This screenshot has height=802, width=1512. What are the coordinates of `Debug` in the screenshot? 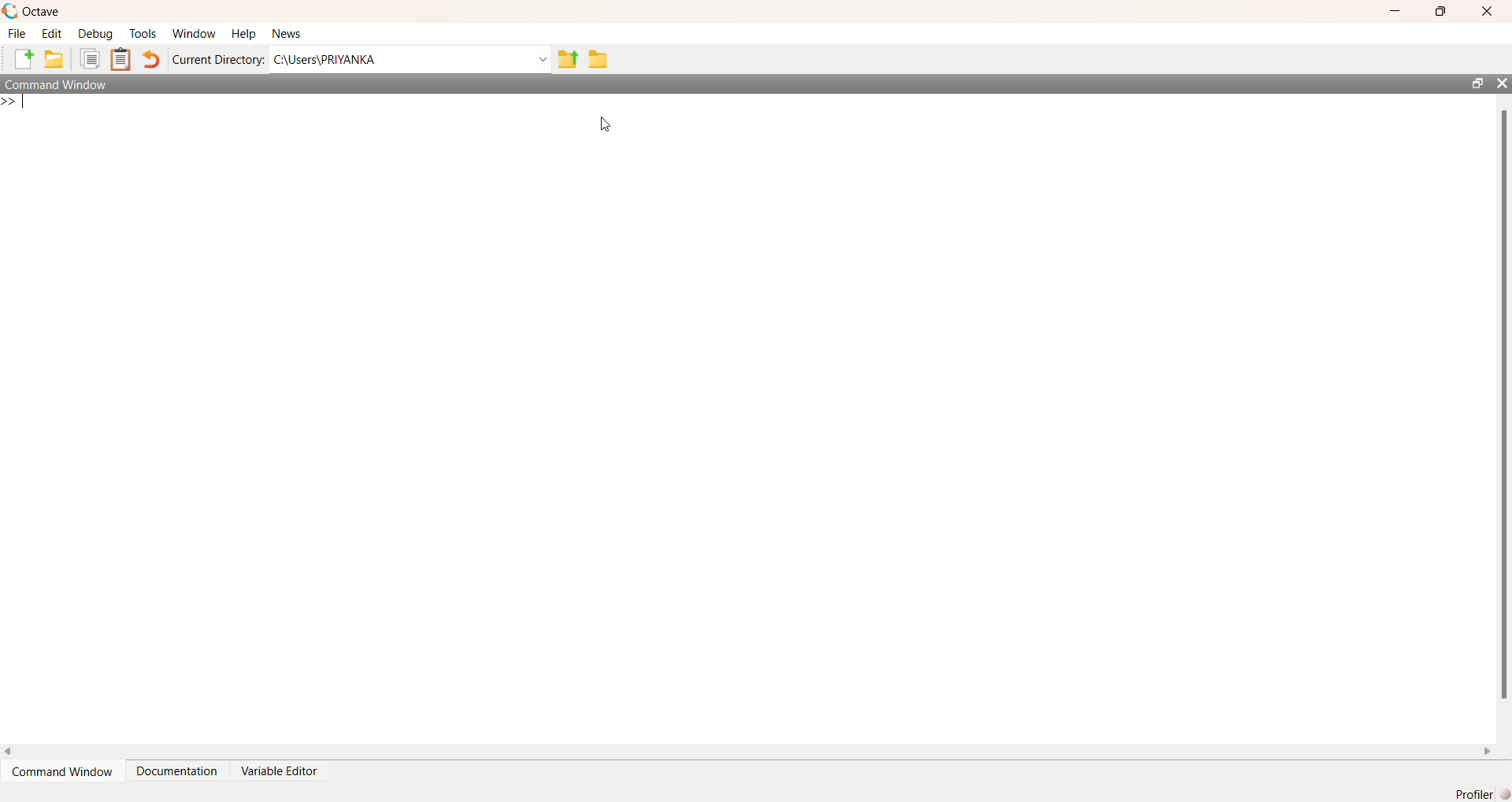 It's located at (96, 34).